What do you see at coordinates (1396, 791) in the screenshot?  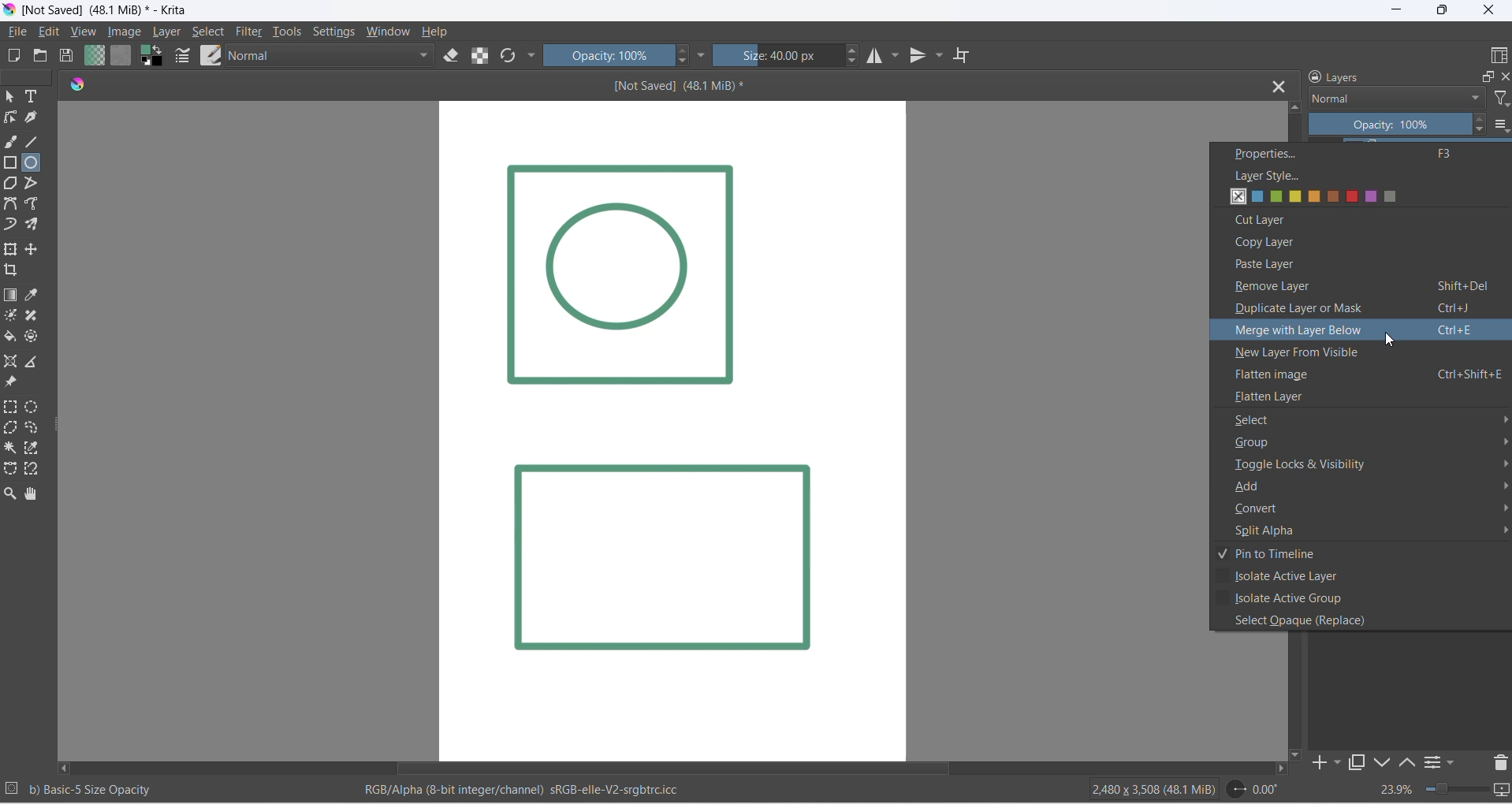 I see `zoom percent` at bounding box center [1396, 791].